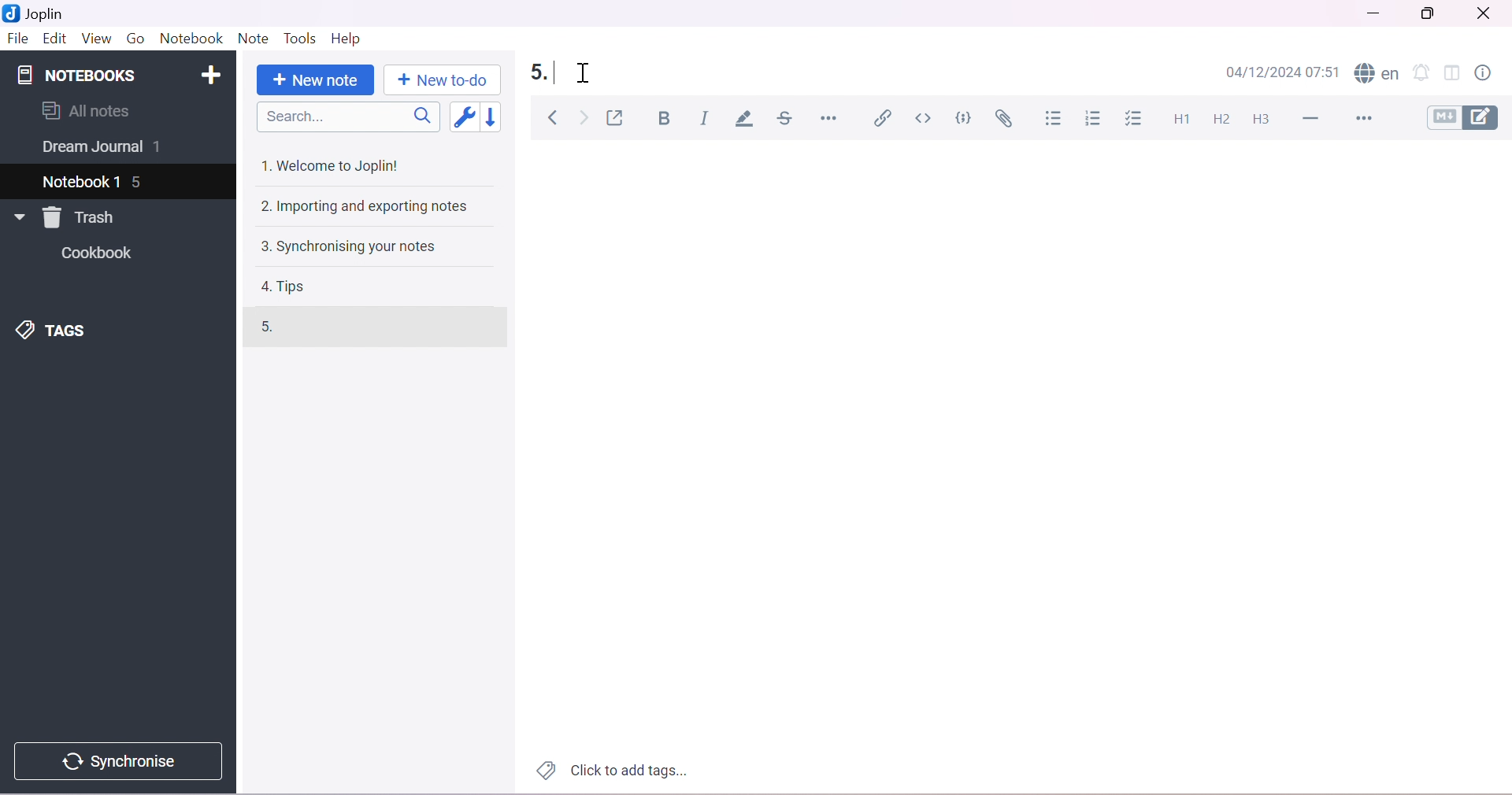  I want to click on Joplin, so click(39, 13).